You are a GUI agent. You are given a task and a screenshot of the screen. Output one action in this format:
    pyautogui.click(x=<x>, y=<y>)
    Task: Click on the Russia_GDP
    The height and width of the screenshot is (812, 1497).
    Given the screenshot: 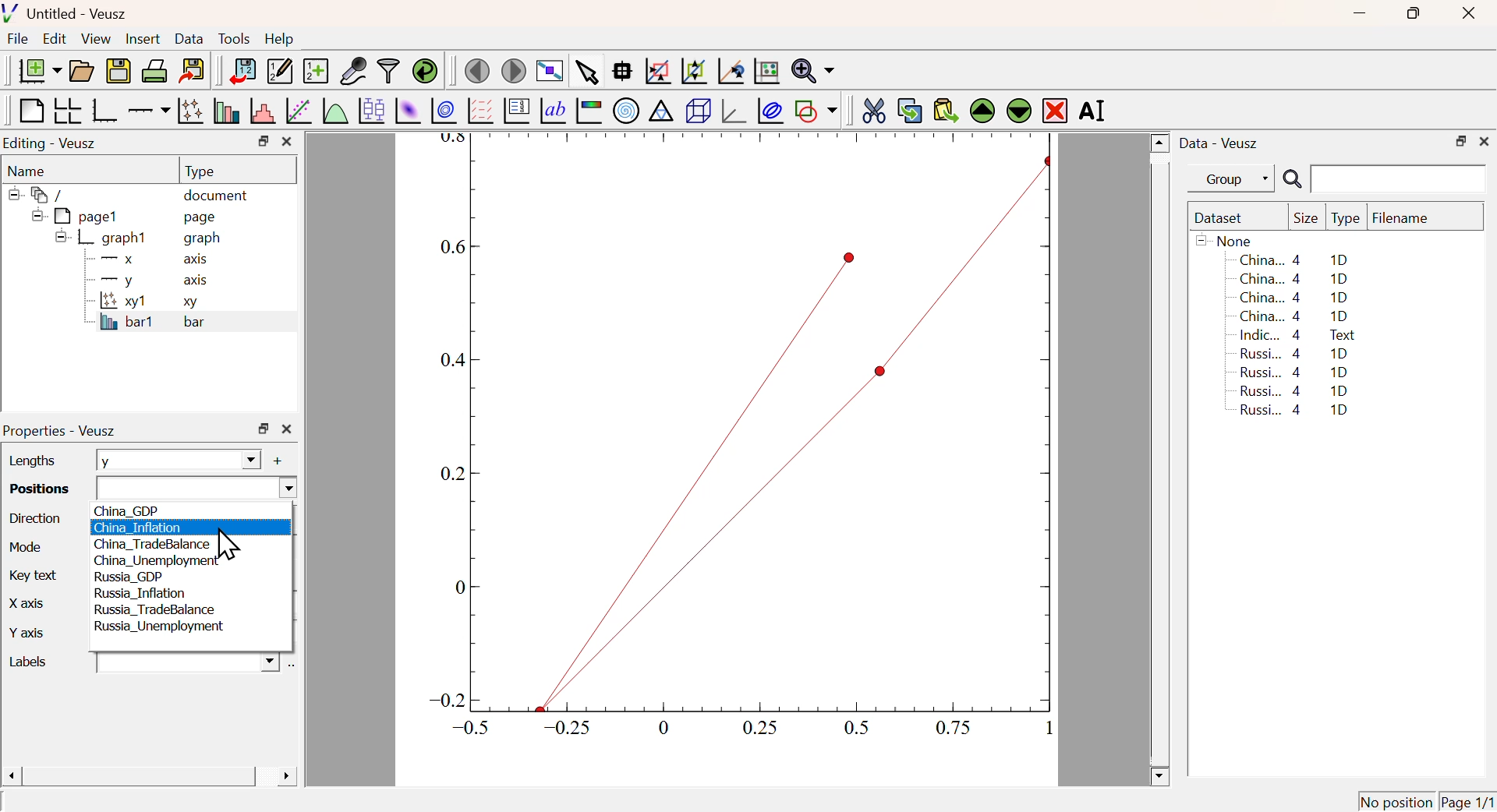 What is the action you would take?
    pyautogui.click(x=129, y=577)
    